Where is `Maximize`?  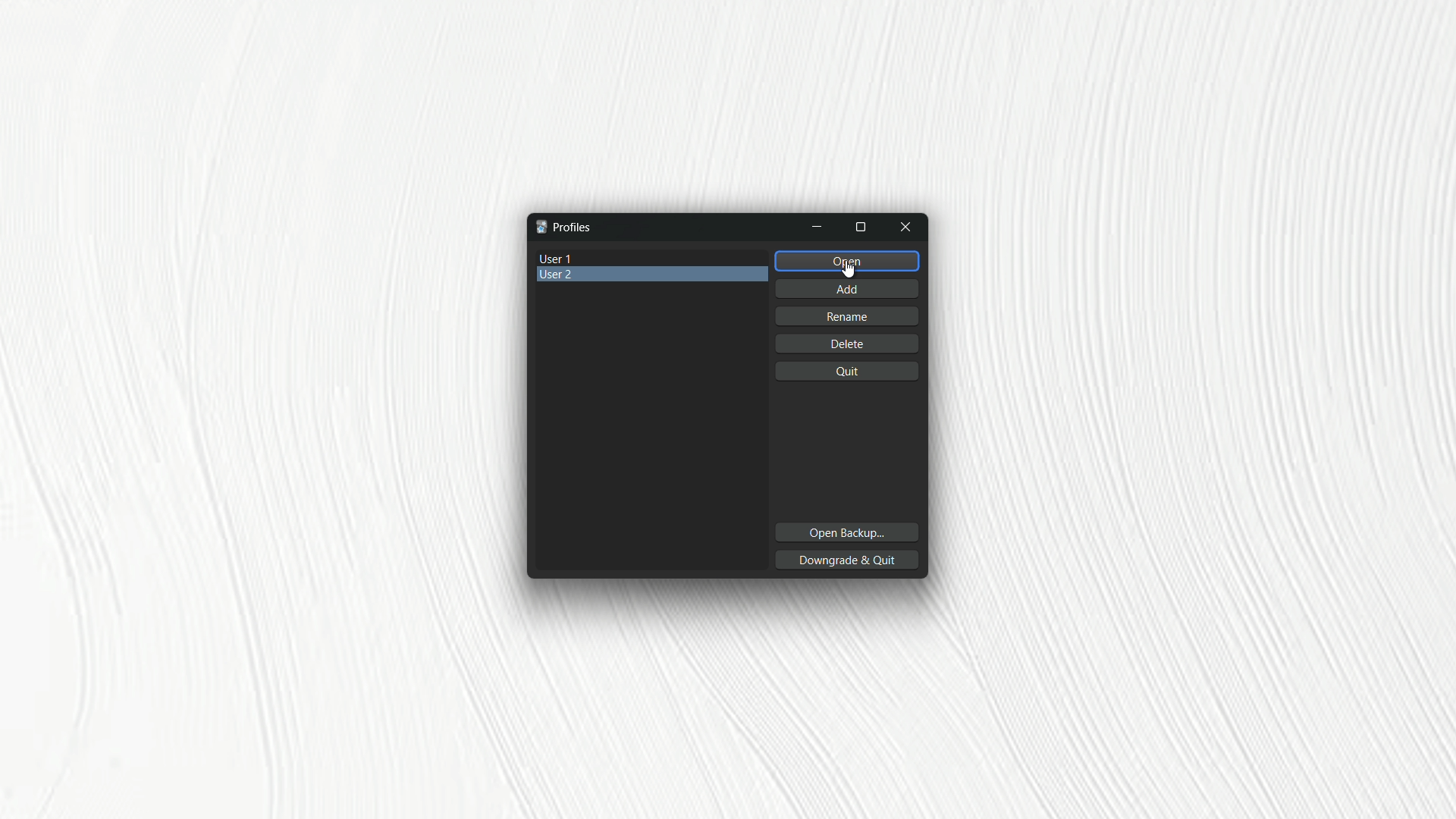 Maximize is located at coordinates (863, 227).